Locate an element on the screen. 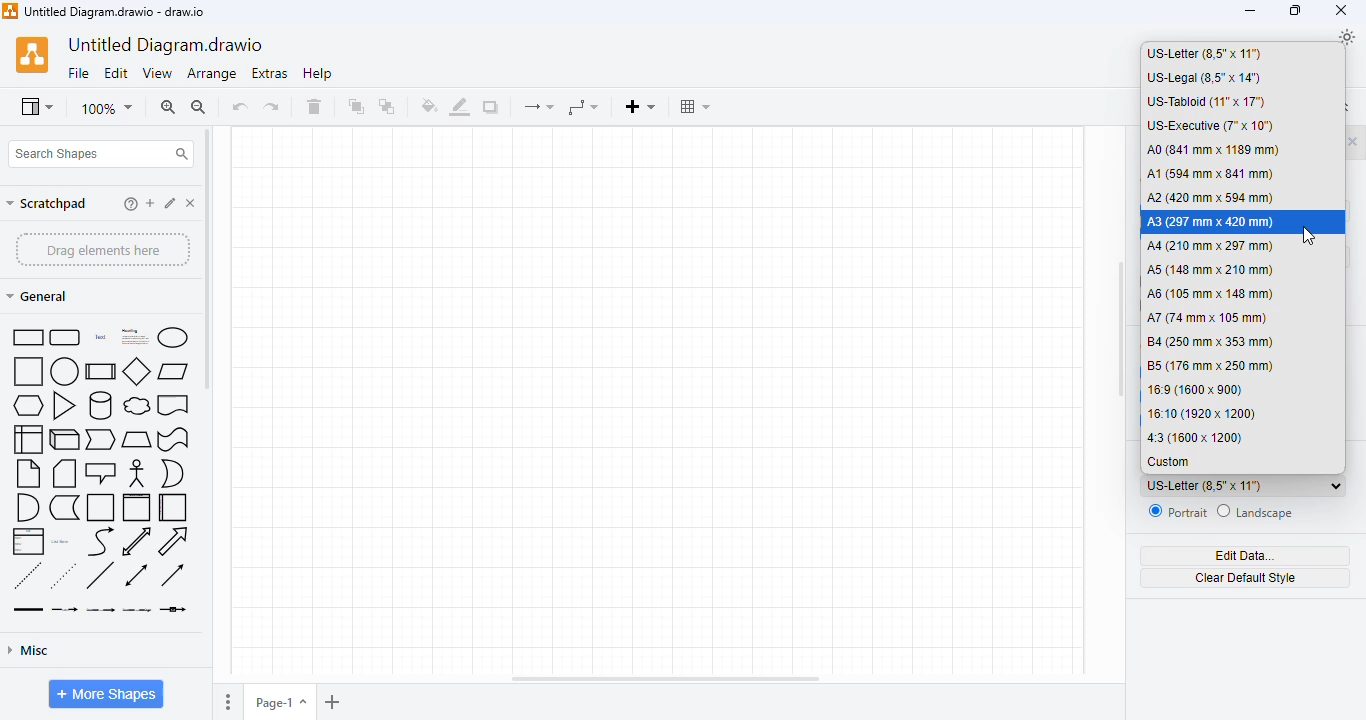 This screenshot has width=1366, height=720. connector with symbol is located at coordinates (173, 609).